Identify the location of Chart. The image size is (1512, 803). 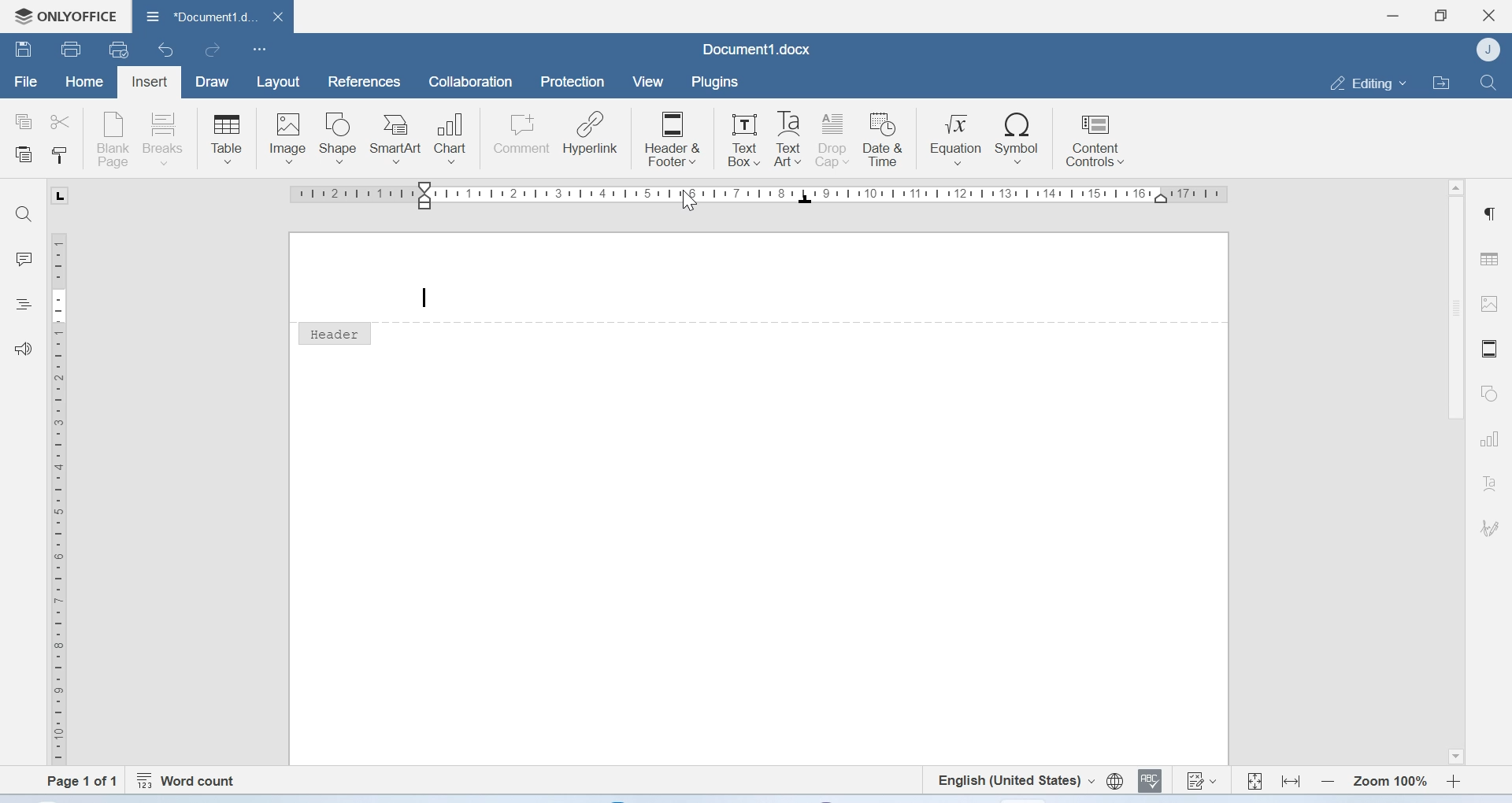
(456, 135).